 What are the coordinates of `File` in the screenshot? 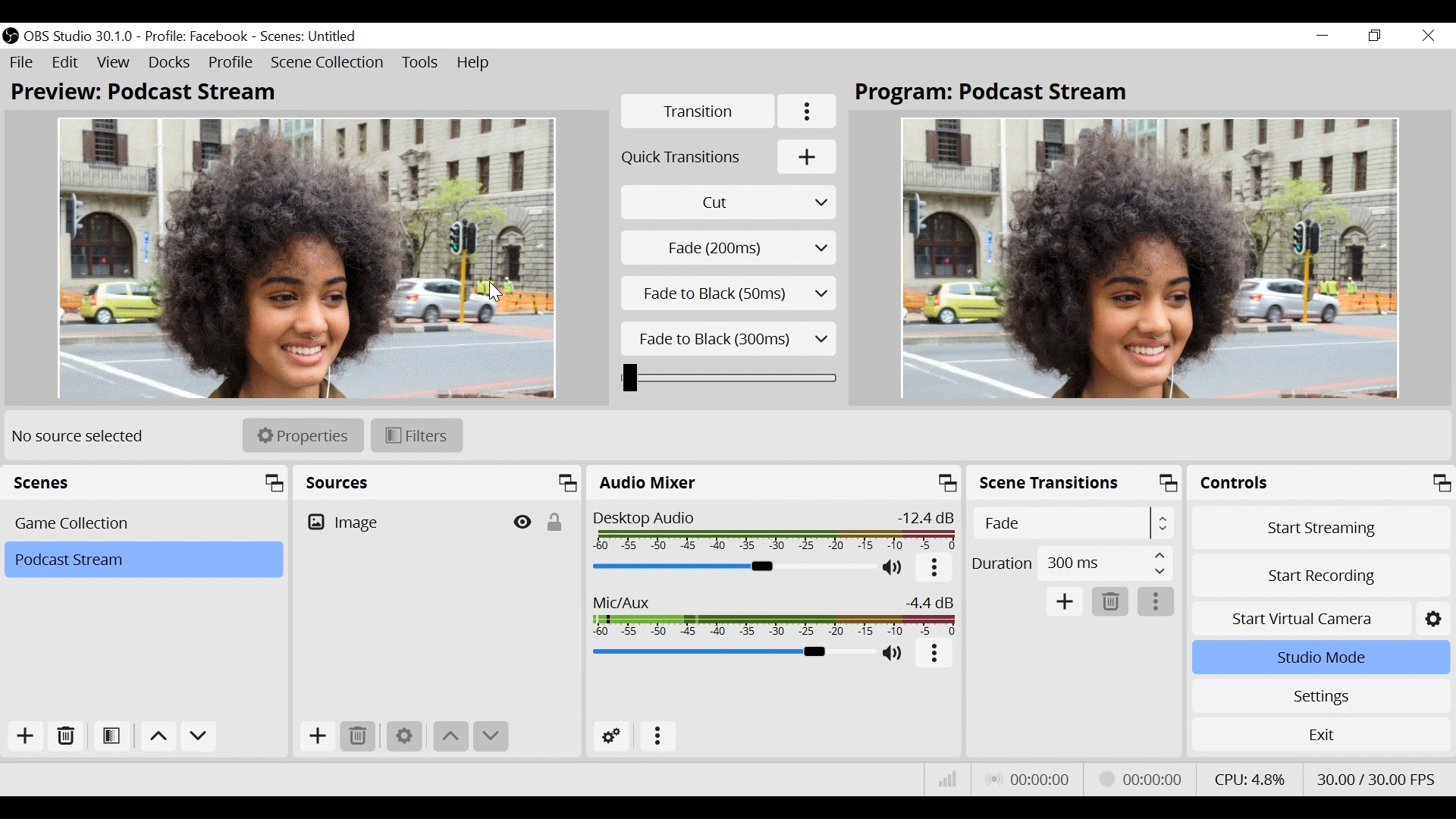 It's located at (22, 63).